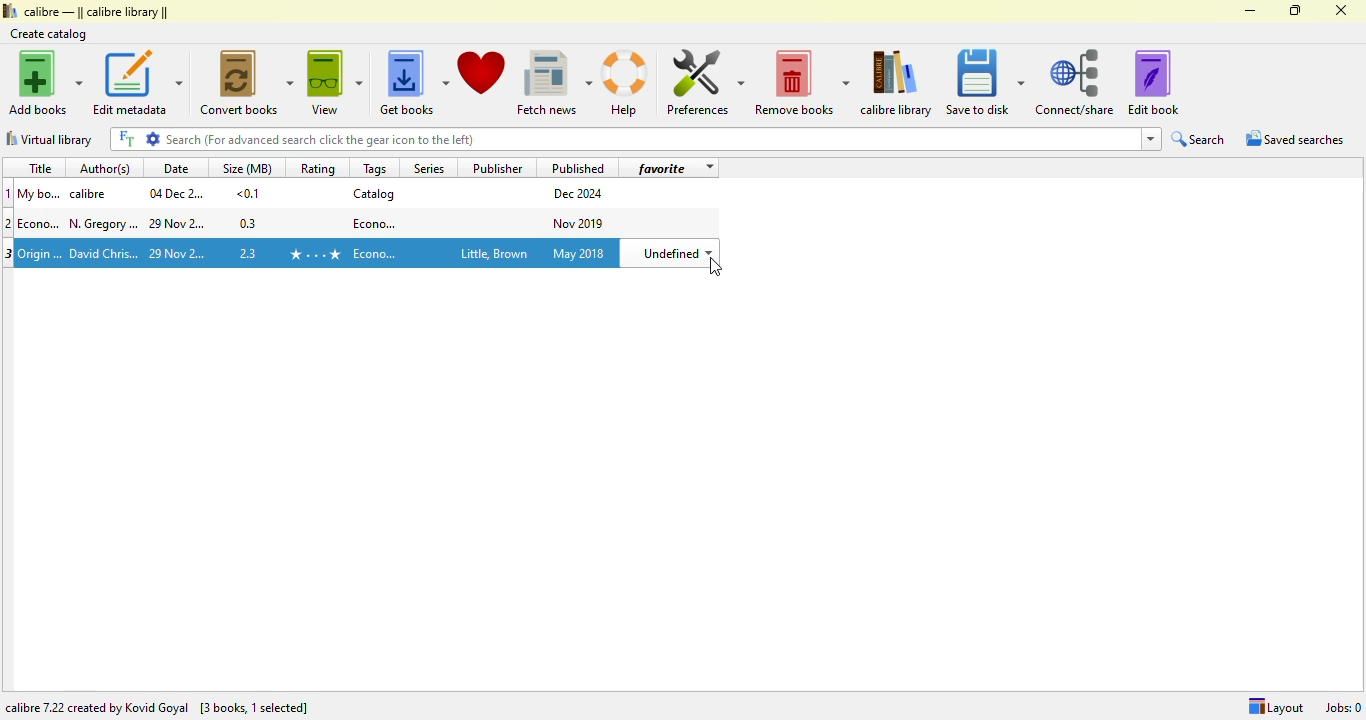  What do you see at coordinates (255, 709) in the screenshot?
I see `[ 3 books, 1 selected]` at bounding box center [255, 709].